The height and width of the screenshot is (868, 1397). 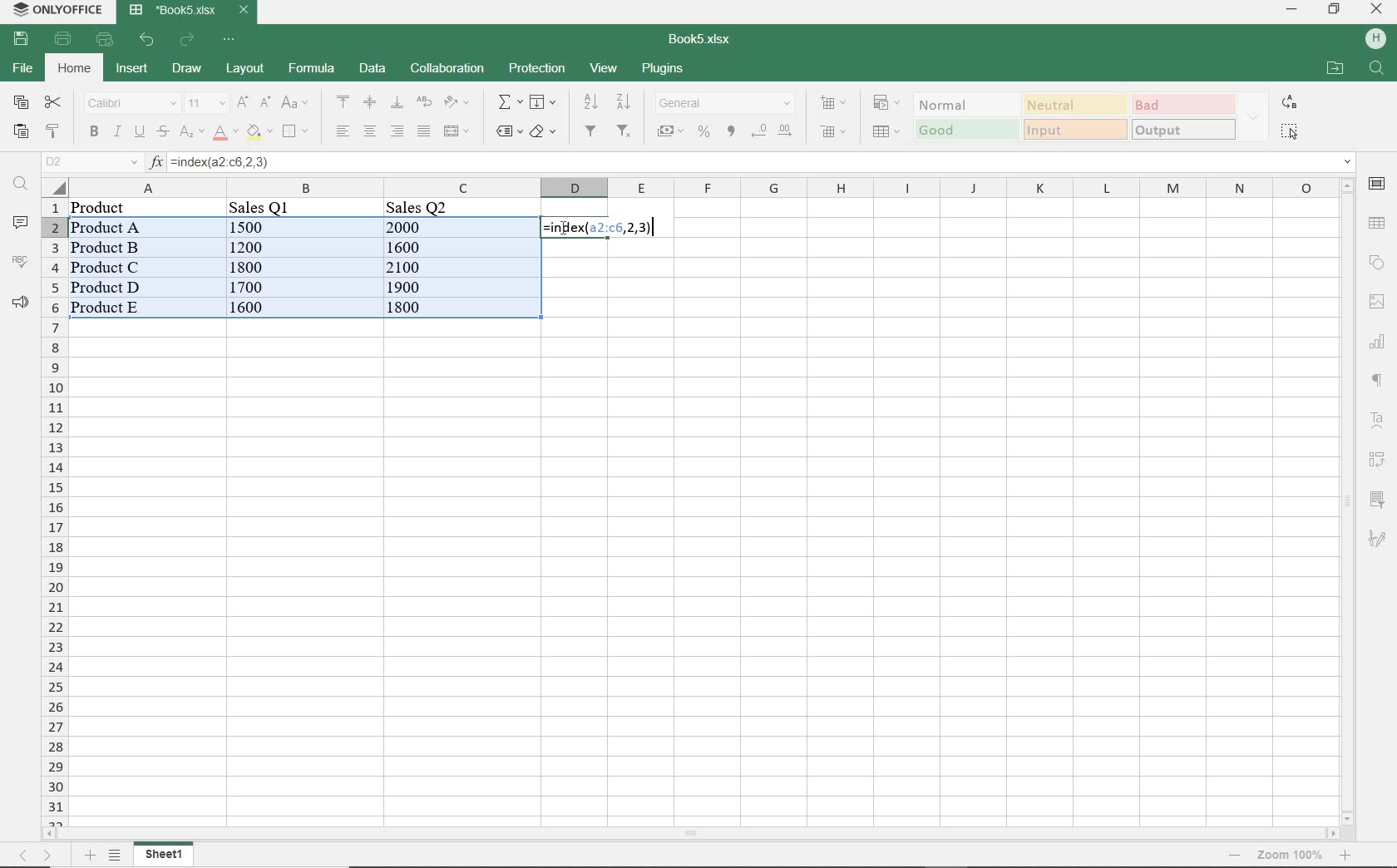 What do you see at coordinates (962, 104) in the screenshot?
I see `normal` at bounding box center [962, 104].